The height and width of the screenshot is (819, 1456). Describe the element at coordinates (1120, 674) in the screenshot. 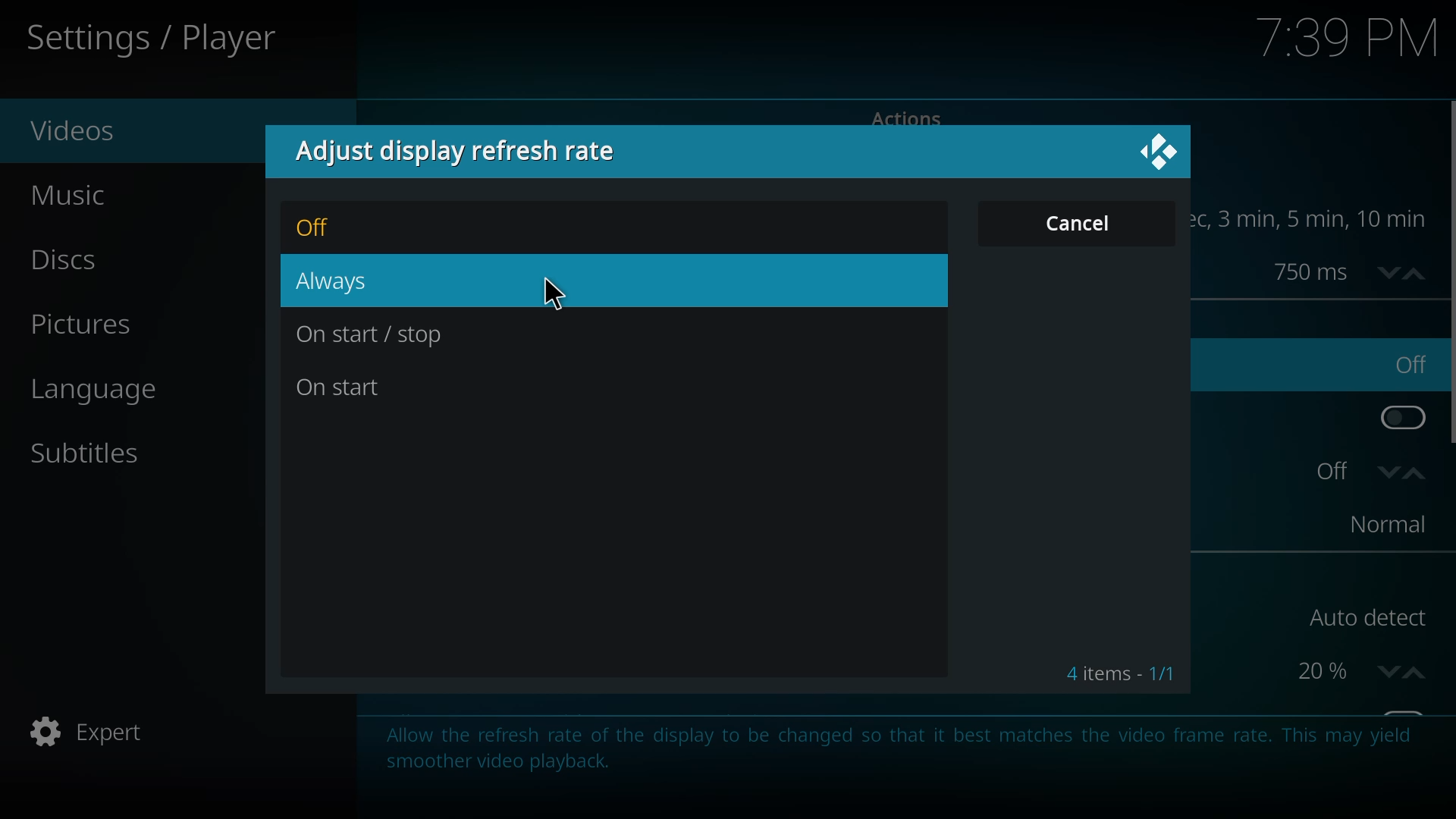

I see `4 items` at that location.